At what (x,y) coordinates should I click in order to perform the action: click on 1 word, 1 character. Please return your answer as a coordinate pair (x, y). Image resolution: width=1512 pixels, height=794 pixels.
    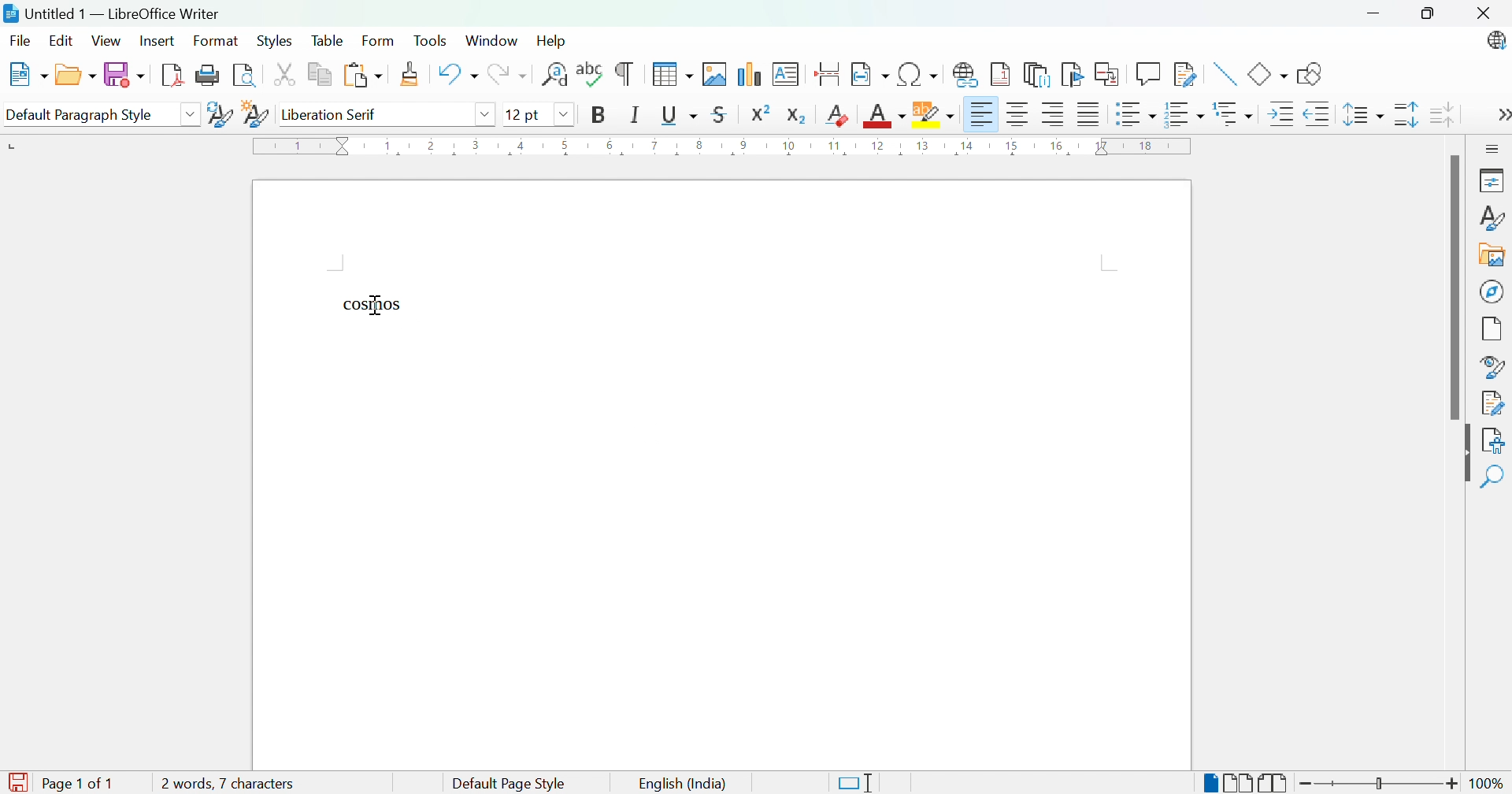
    Looking at the image, I should click on (222, 785).